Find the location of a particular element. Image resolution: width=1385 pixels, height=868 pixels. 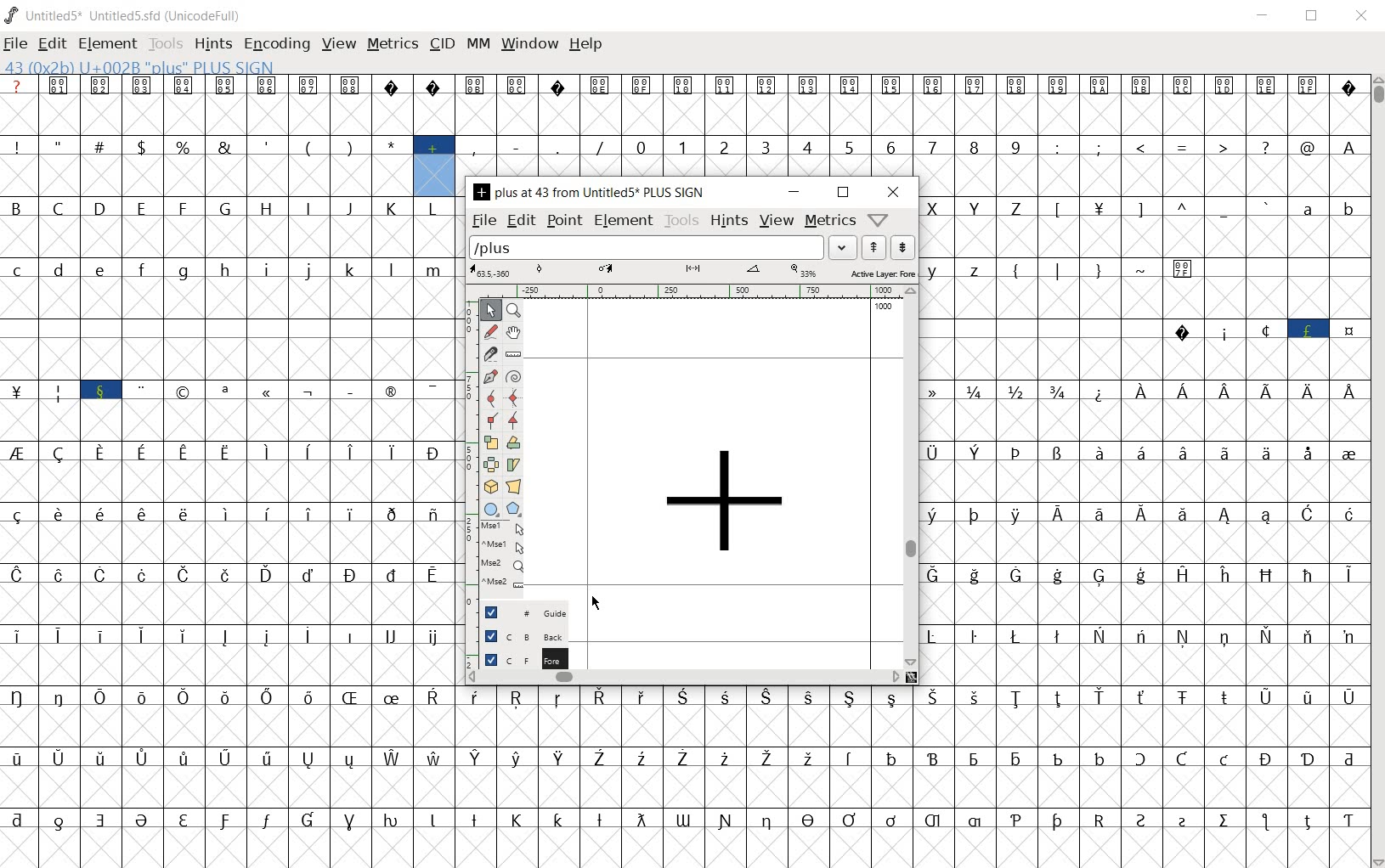

view is located at coordinates (337, 42).